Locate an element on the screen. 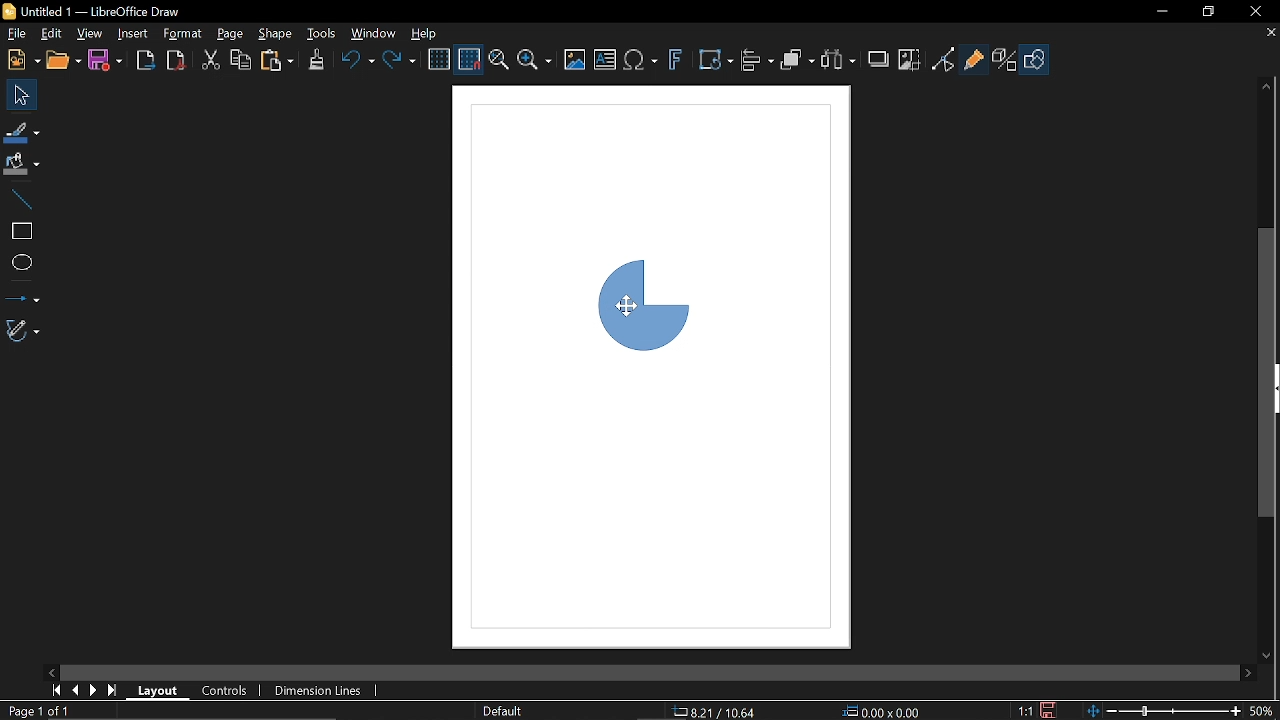 This screenshot has height=720, width=1280. Minimize is located at coordinates (1162, 13).